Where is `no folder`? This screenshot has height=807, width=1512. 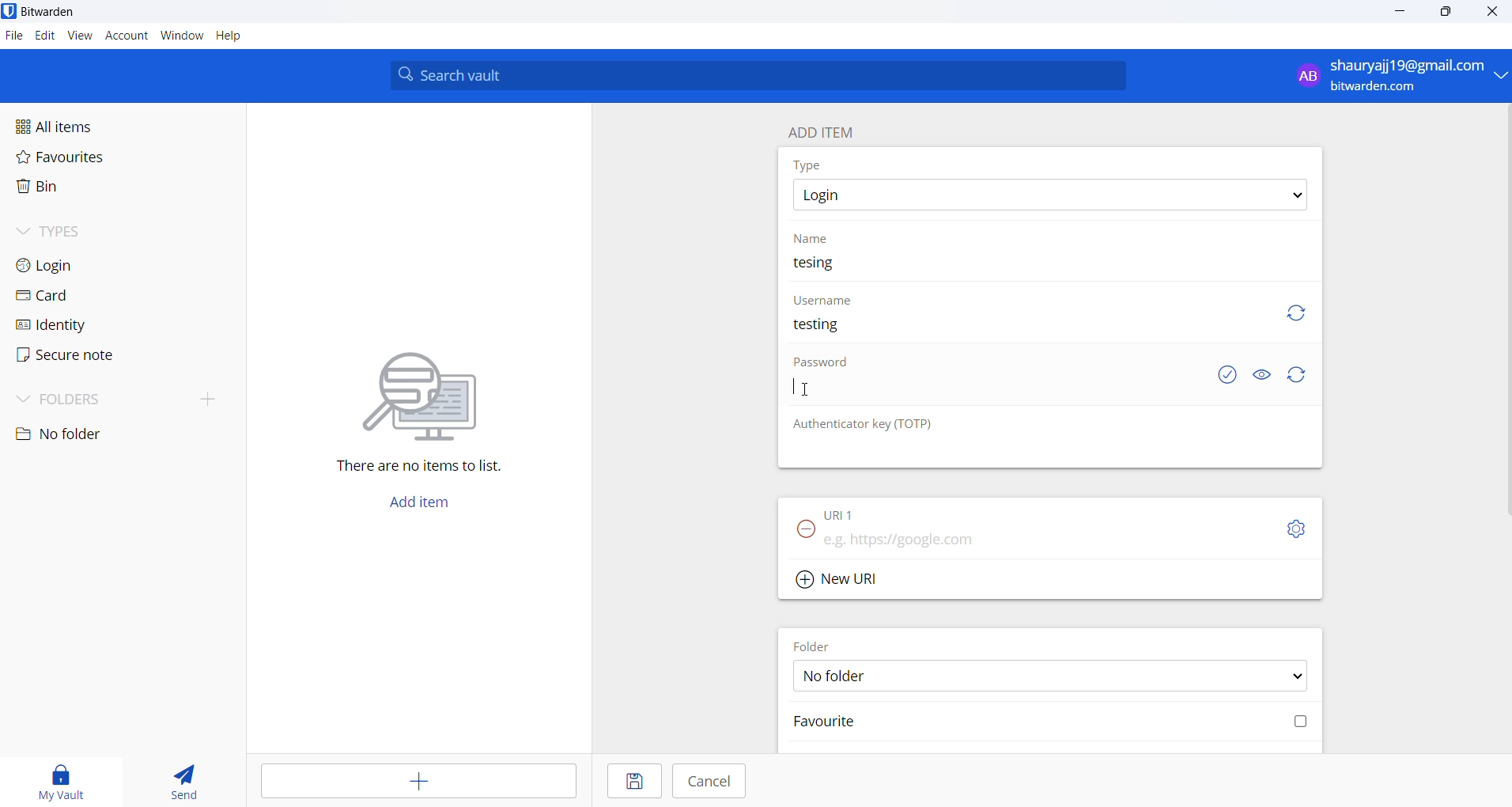 no folder is located at coordinates (108, 434).